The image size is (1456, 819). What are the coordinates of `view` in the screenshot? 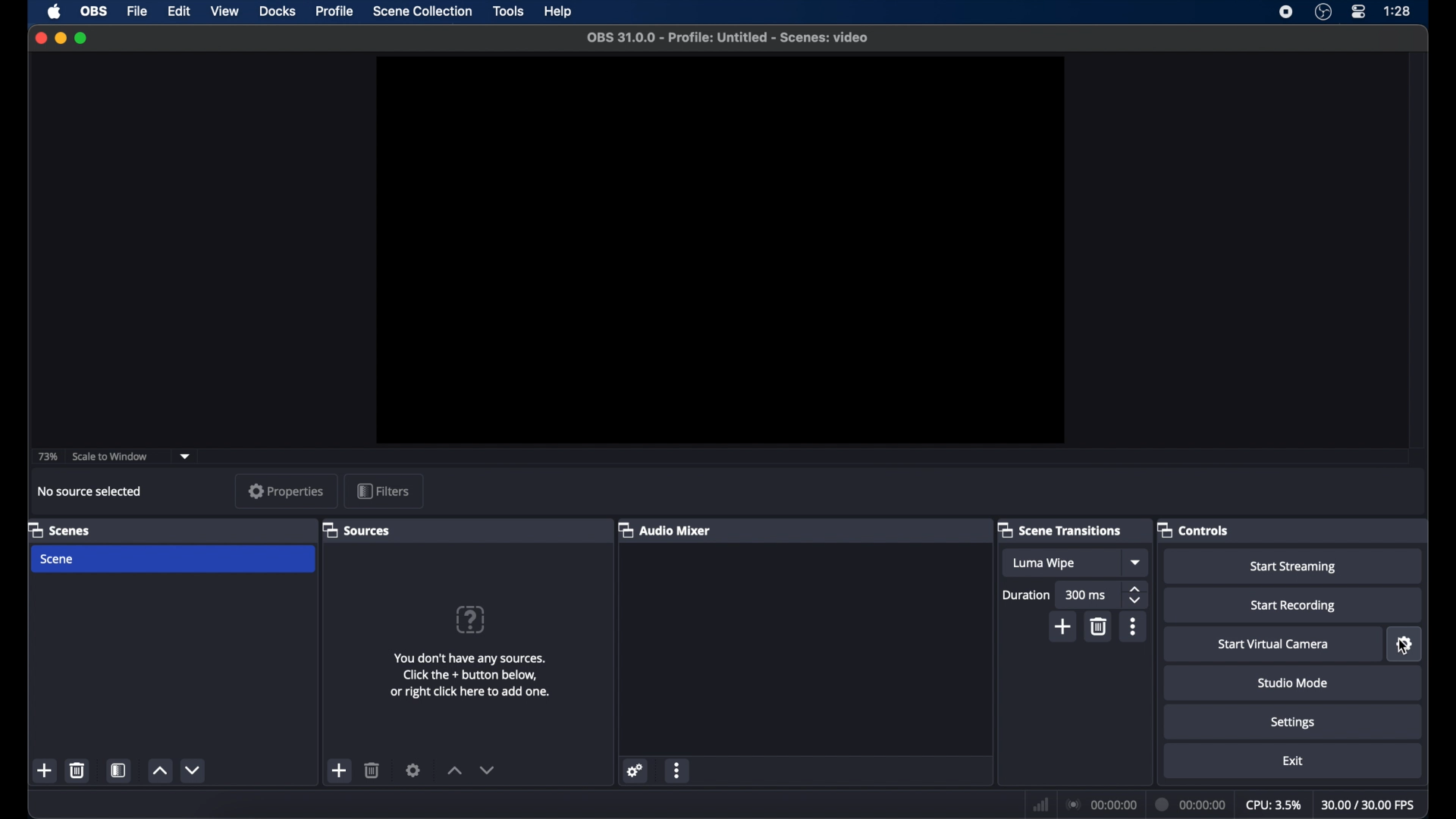 It's located at (224, 12).